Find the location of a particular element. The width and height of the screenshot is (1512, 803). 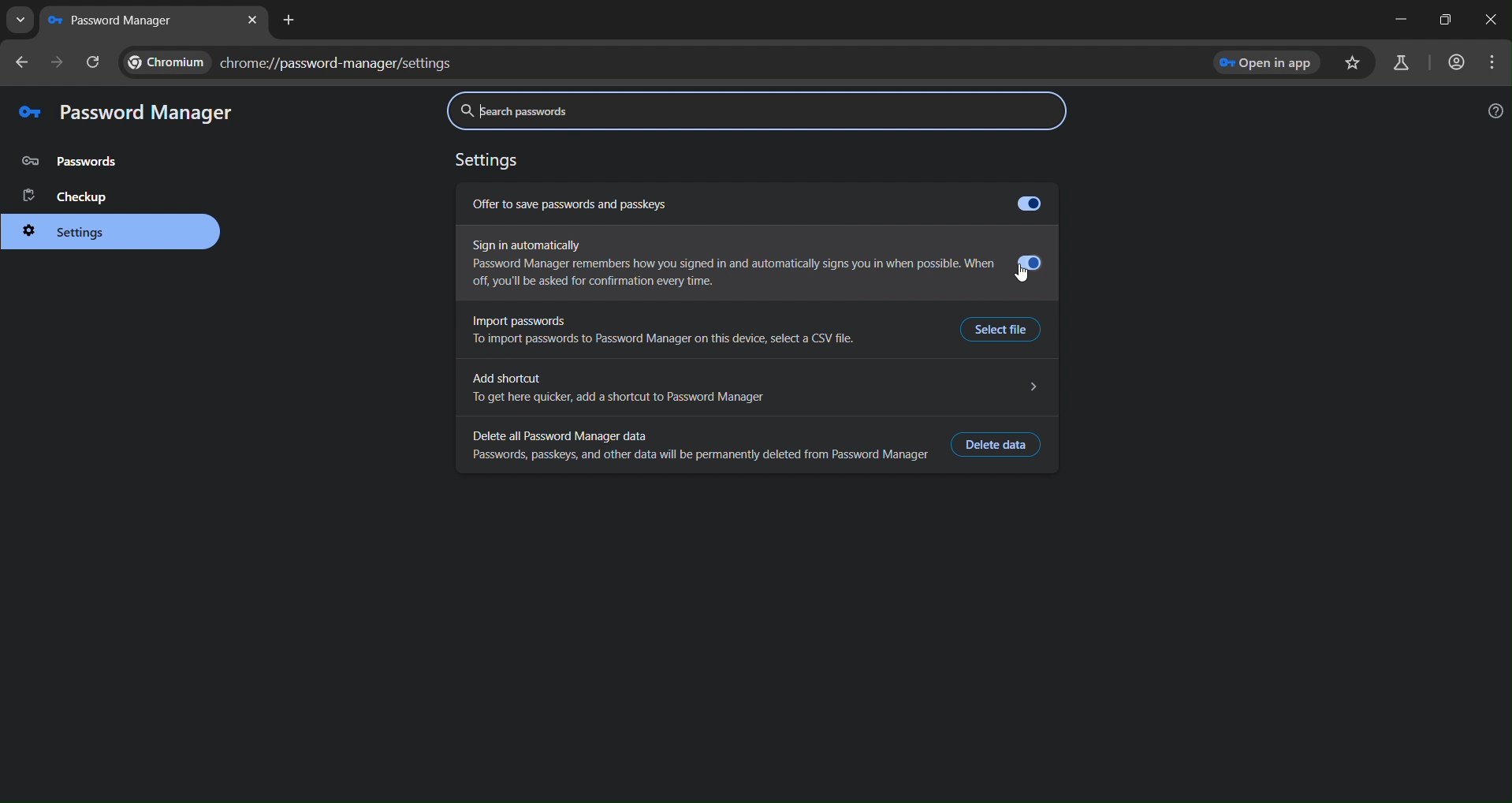

Offer to save passwords and passkeys is located at coordinates (754, 204).